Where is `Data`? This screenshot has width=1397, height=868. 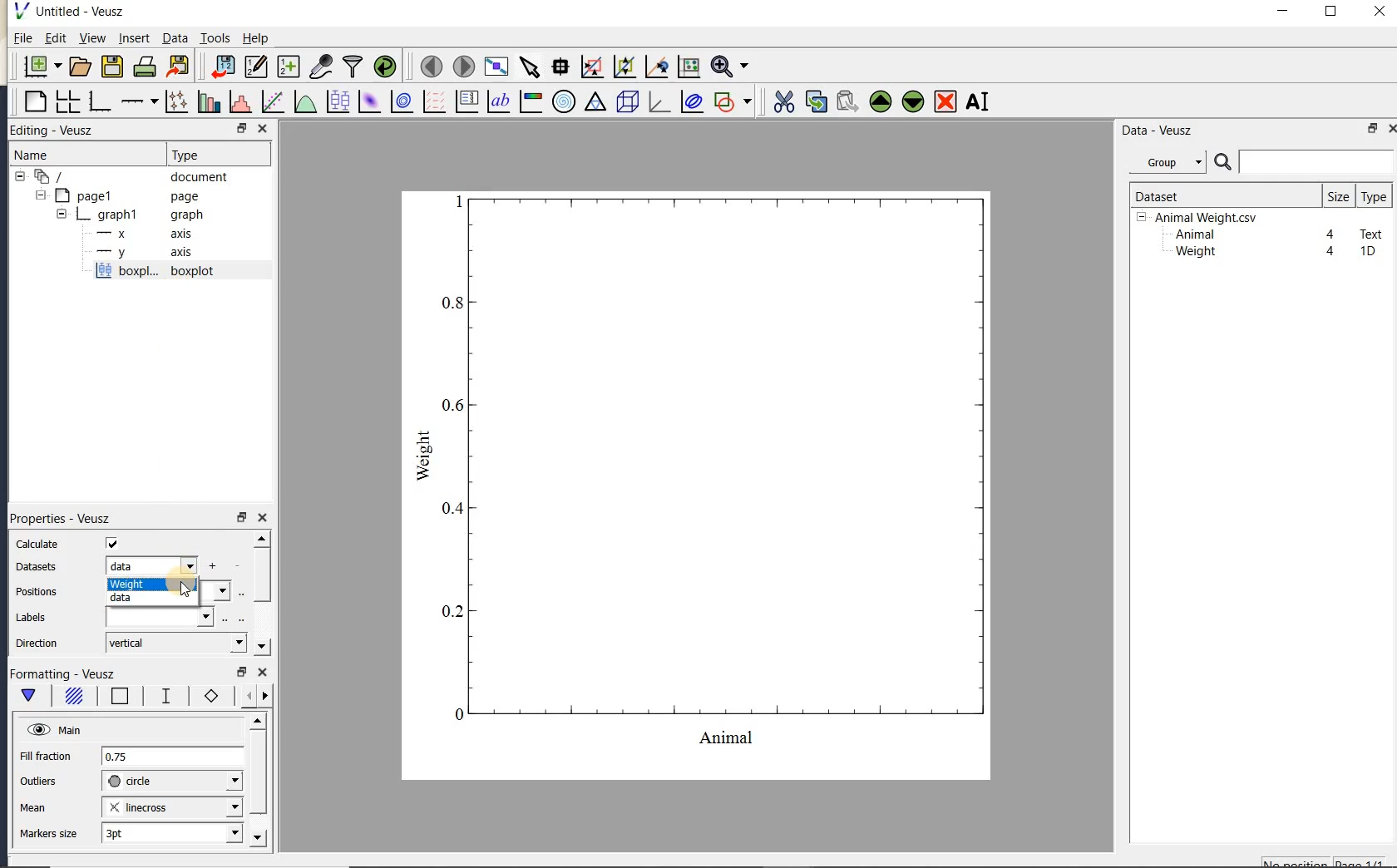
Data is located at coordinates (175, 37).